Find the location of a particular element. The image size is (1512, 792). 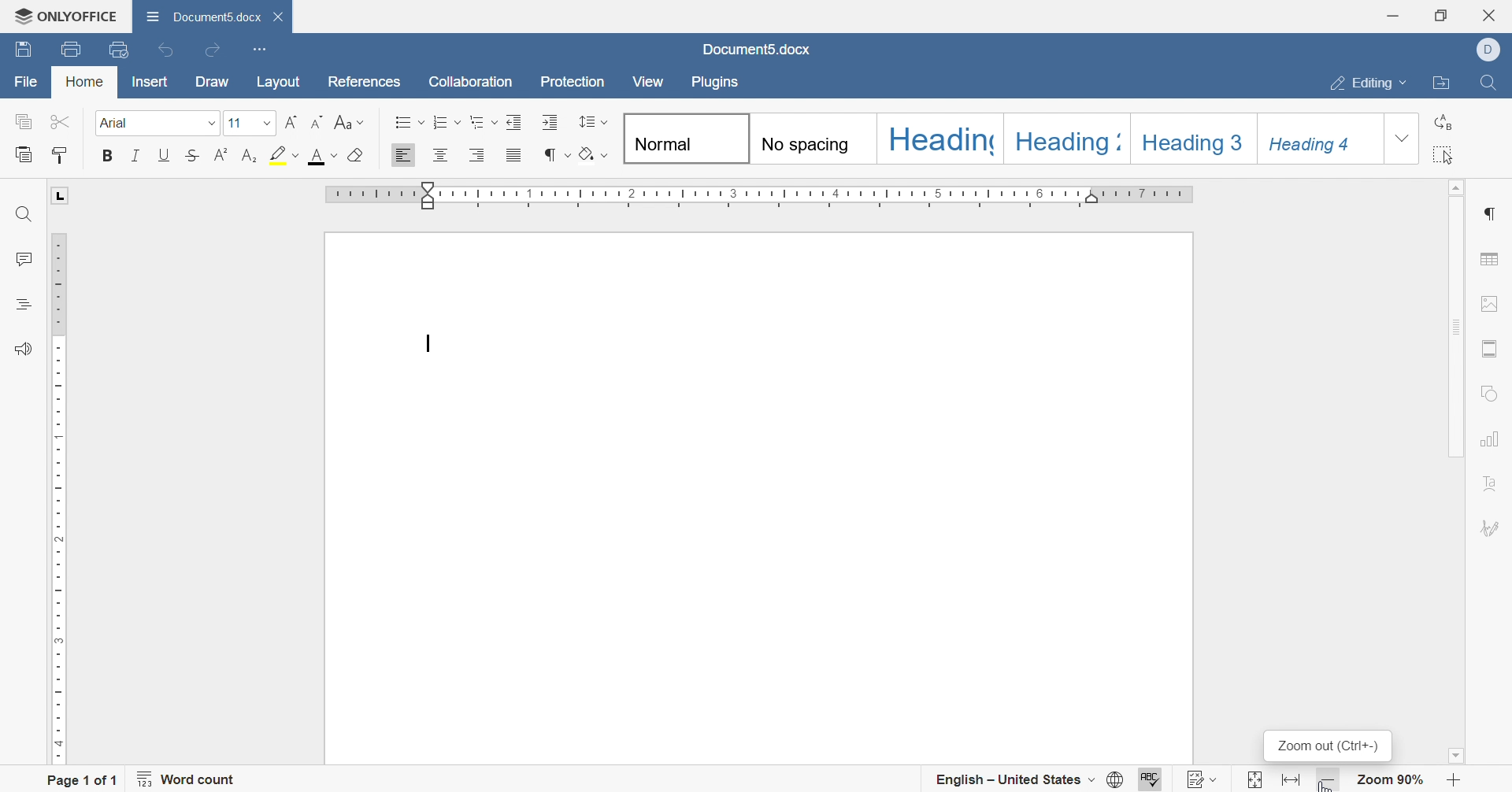

No spacing is located at coordinates (810, 137).